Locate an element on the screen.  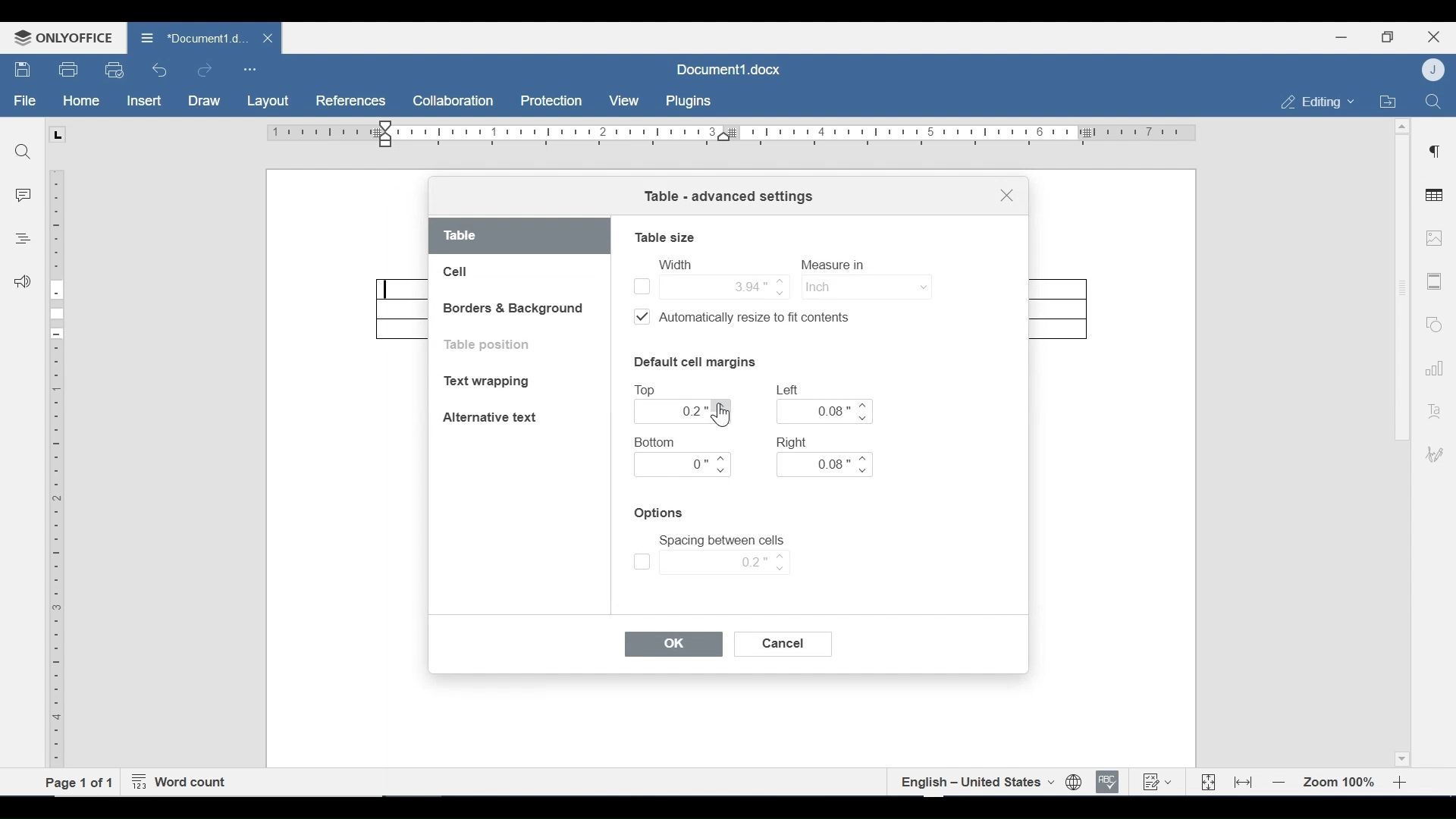
Collaboration is located at coordinates (454, 101).